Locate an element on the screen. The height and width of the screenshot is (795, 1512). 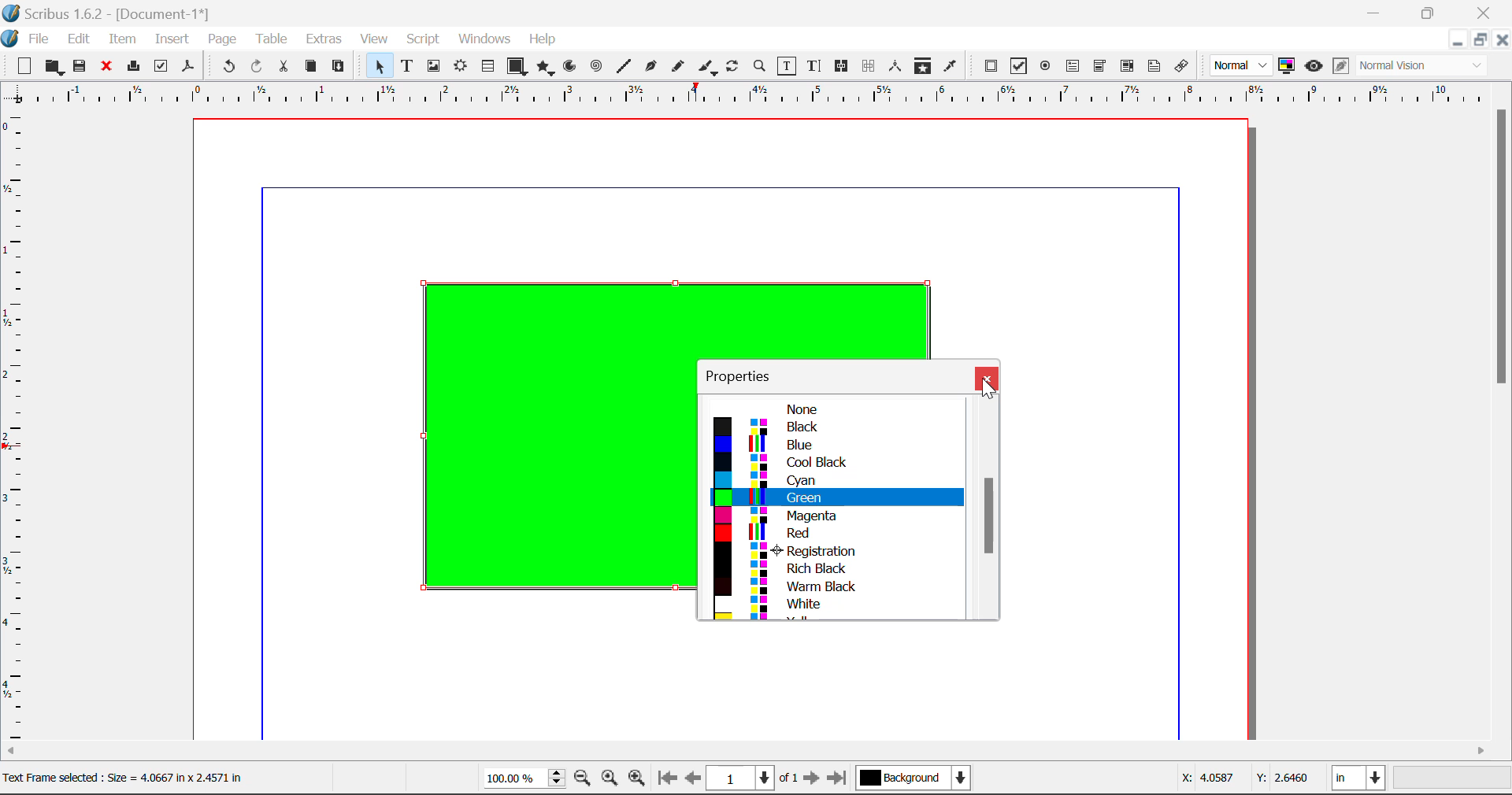
Select is located at coordinates (376, 65).